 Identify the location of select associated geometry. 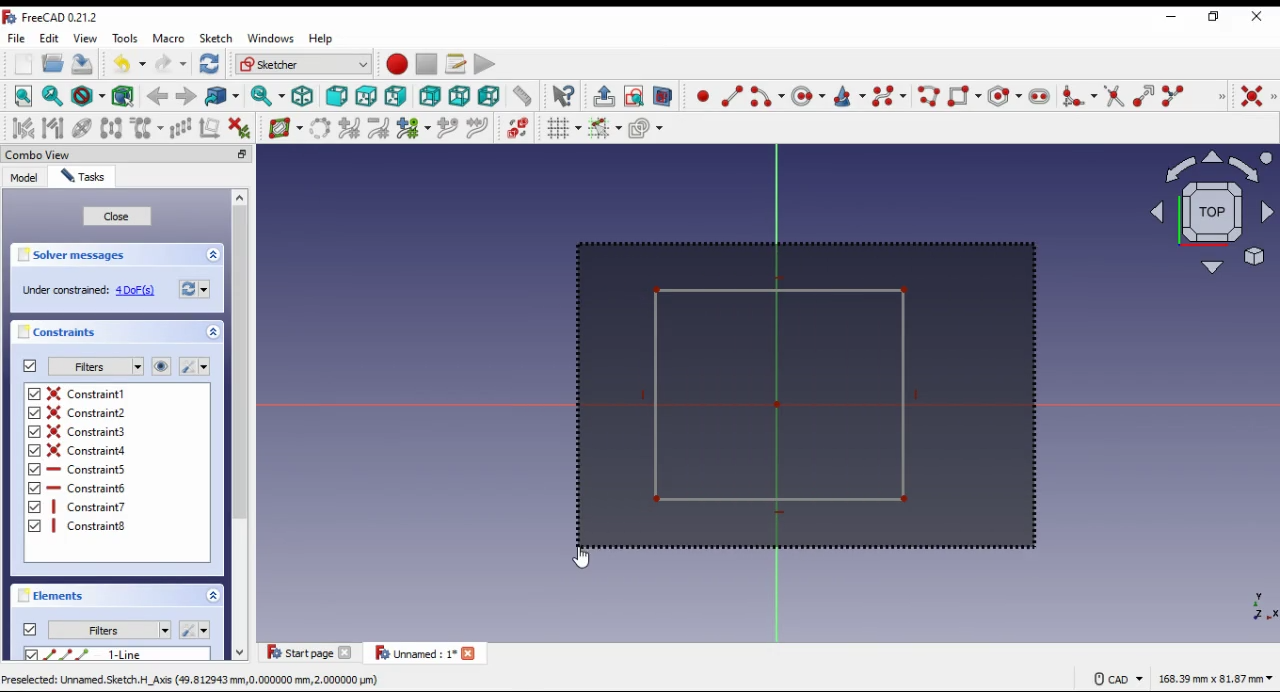
(125, 95).